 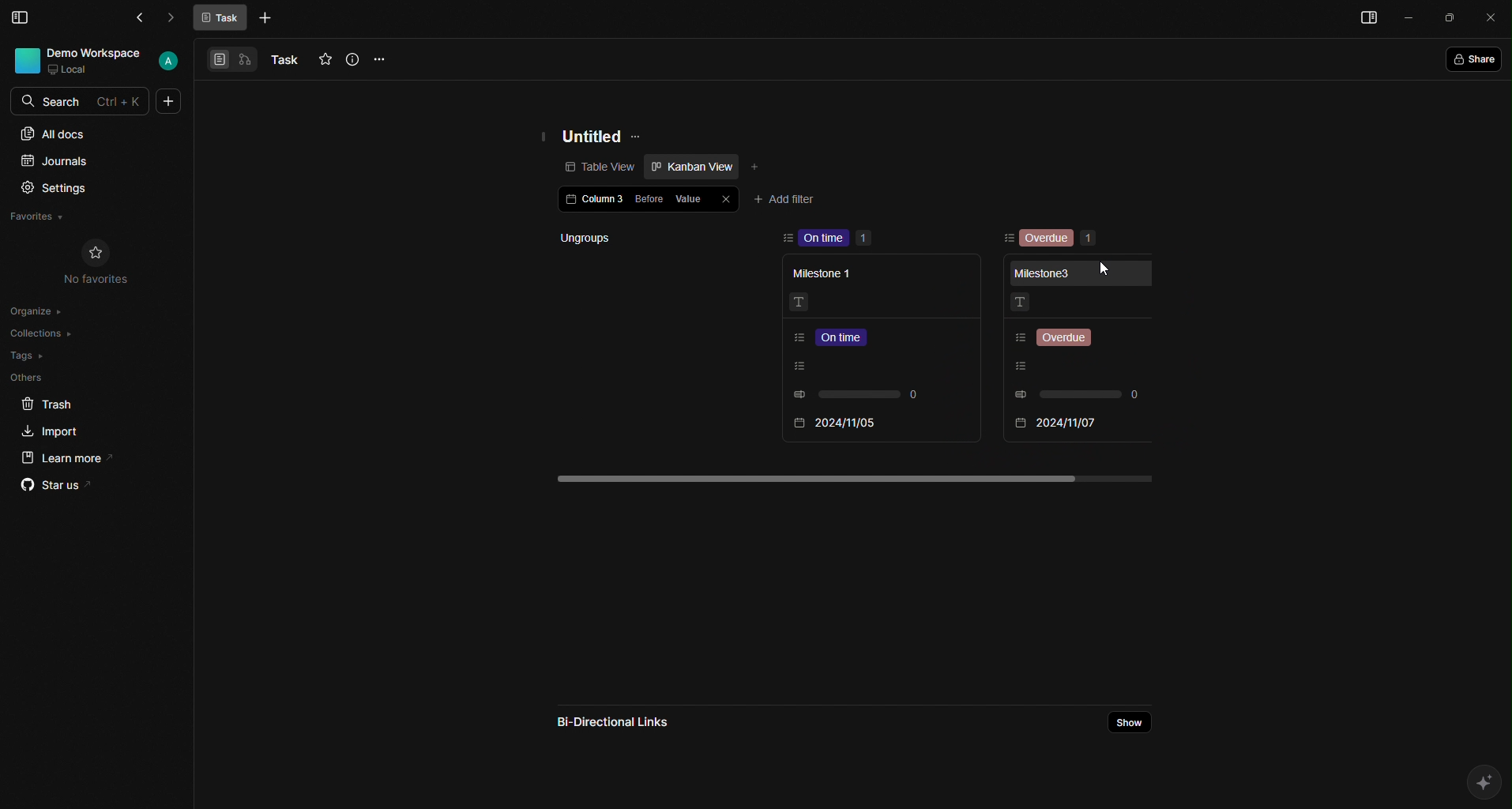 I want to click on Listing, so click(x=1057, y=338).